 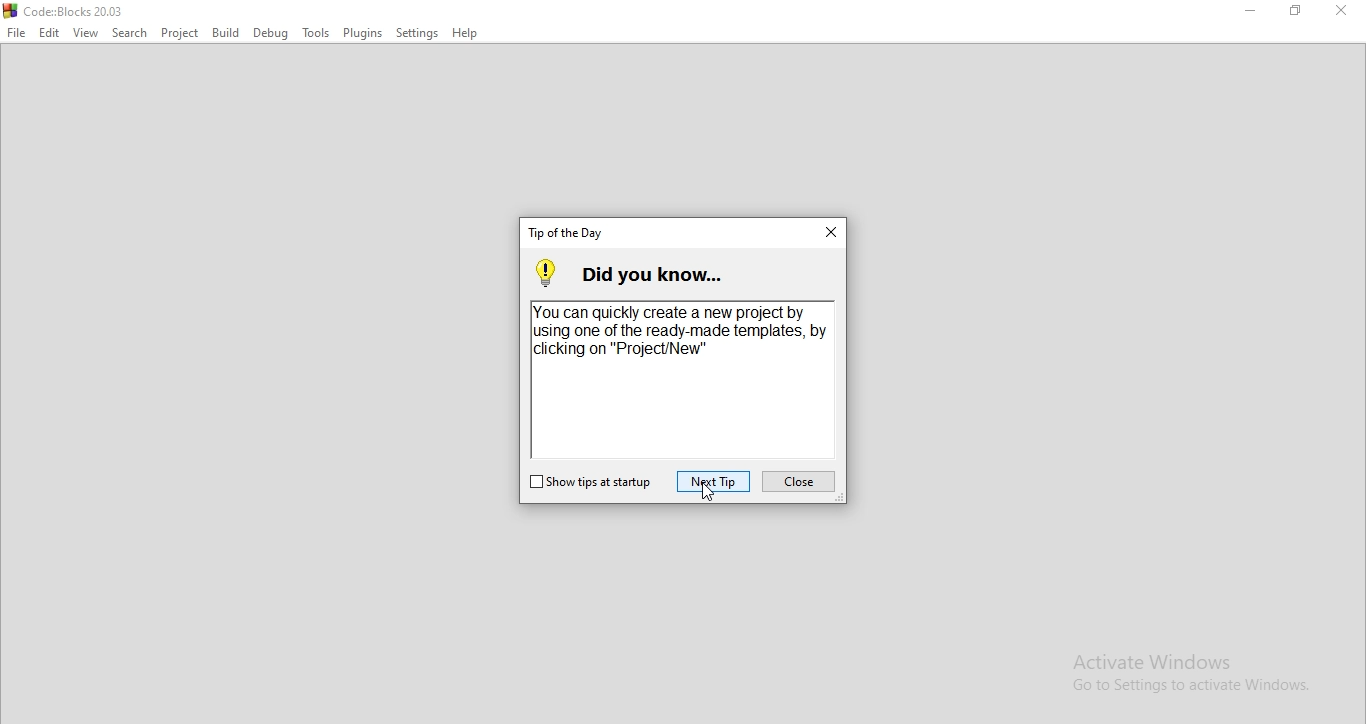 I want to click on next tip, so click(x=713, y=481).